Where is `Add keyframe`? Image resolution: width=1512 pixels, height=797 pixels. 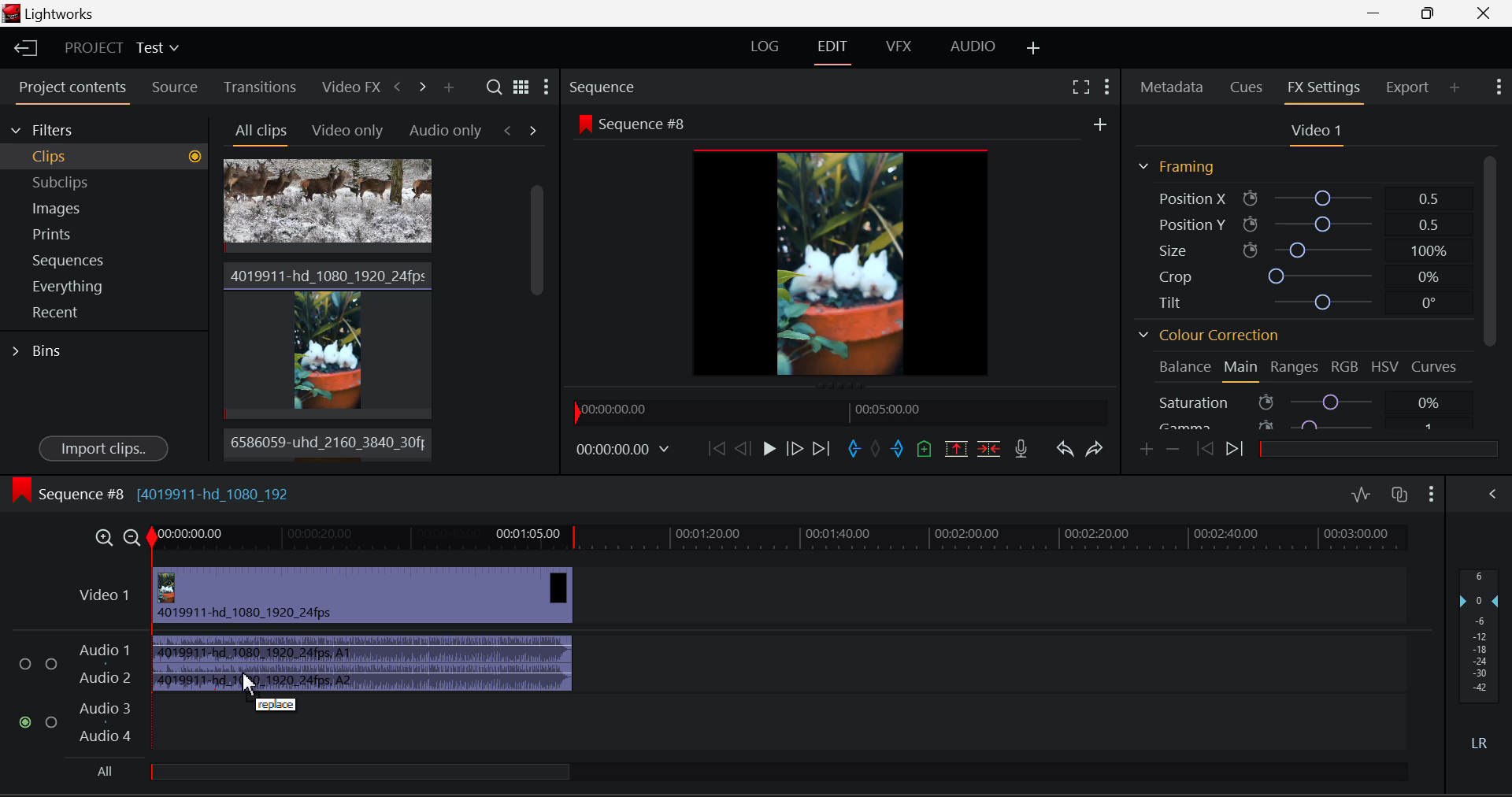 Add keyframe is located at coordinates (1147, 450).